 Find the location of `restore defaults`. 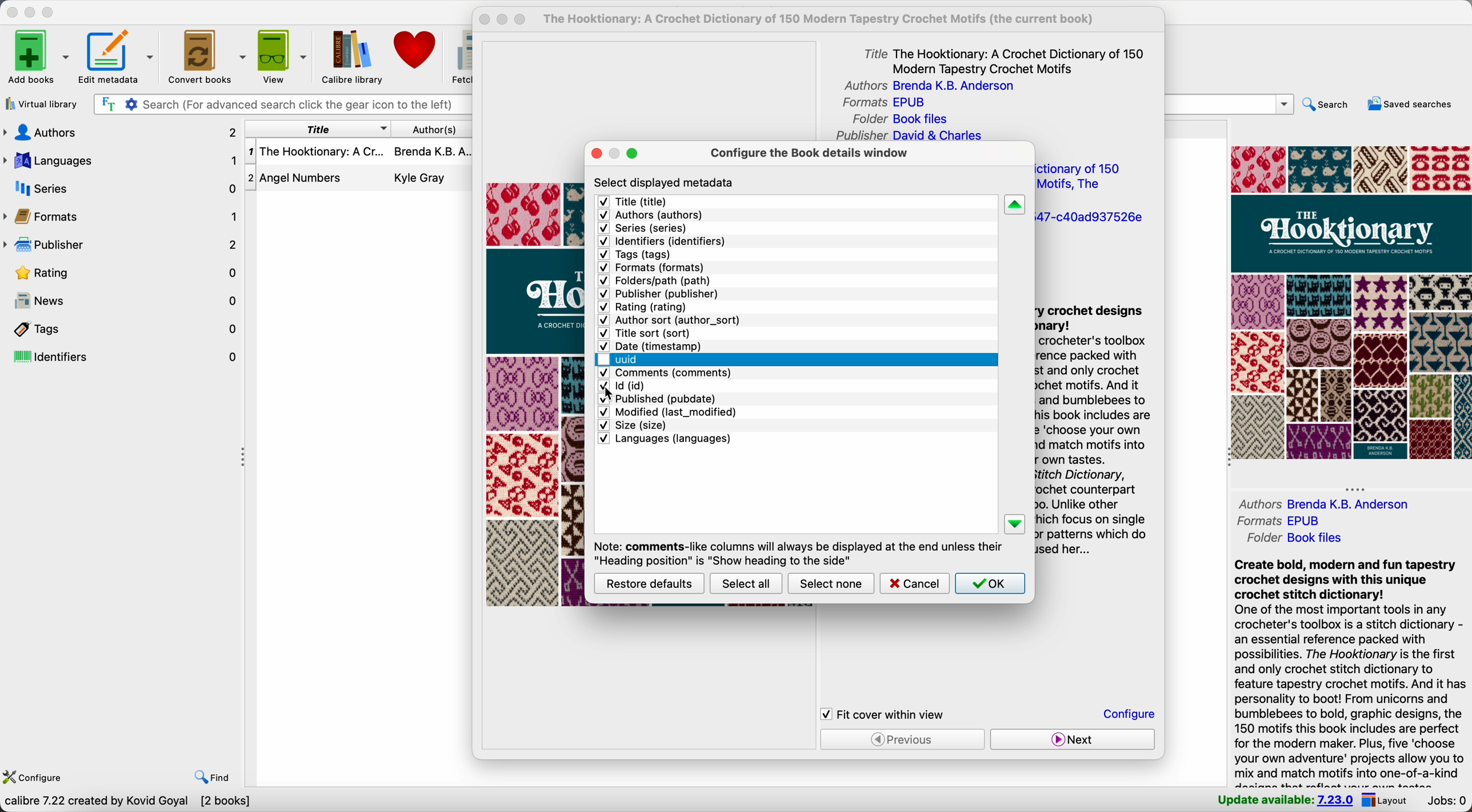

restore defaults is located at coordinates (650, 583).